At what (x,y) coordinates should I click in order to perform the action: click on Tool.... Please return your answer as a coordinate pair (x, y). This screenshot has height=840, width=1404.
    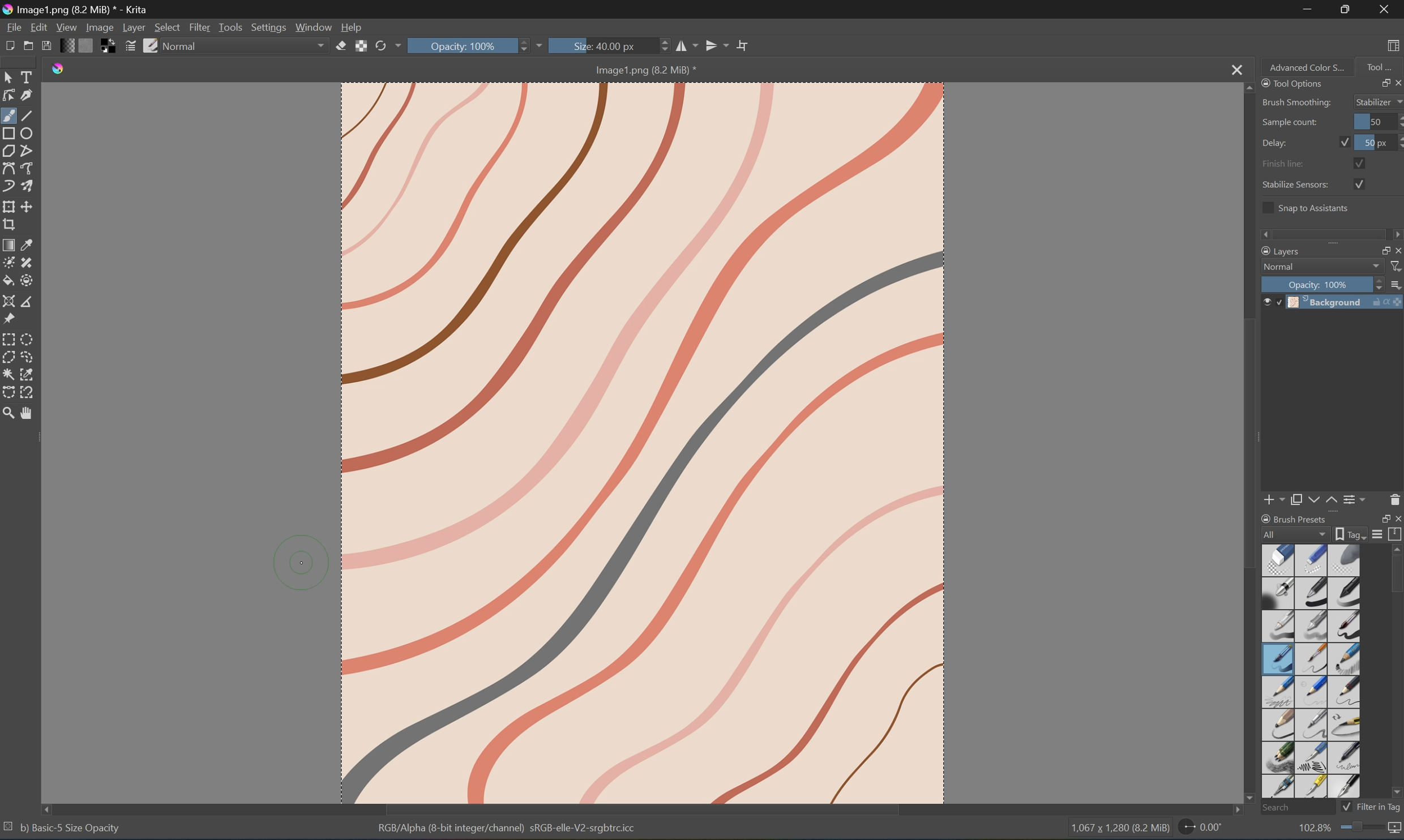
    Looking at the image, I should click on (1381, 66).